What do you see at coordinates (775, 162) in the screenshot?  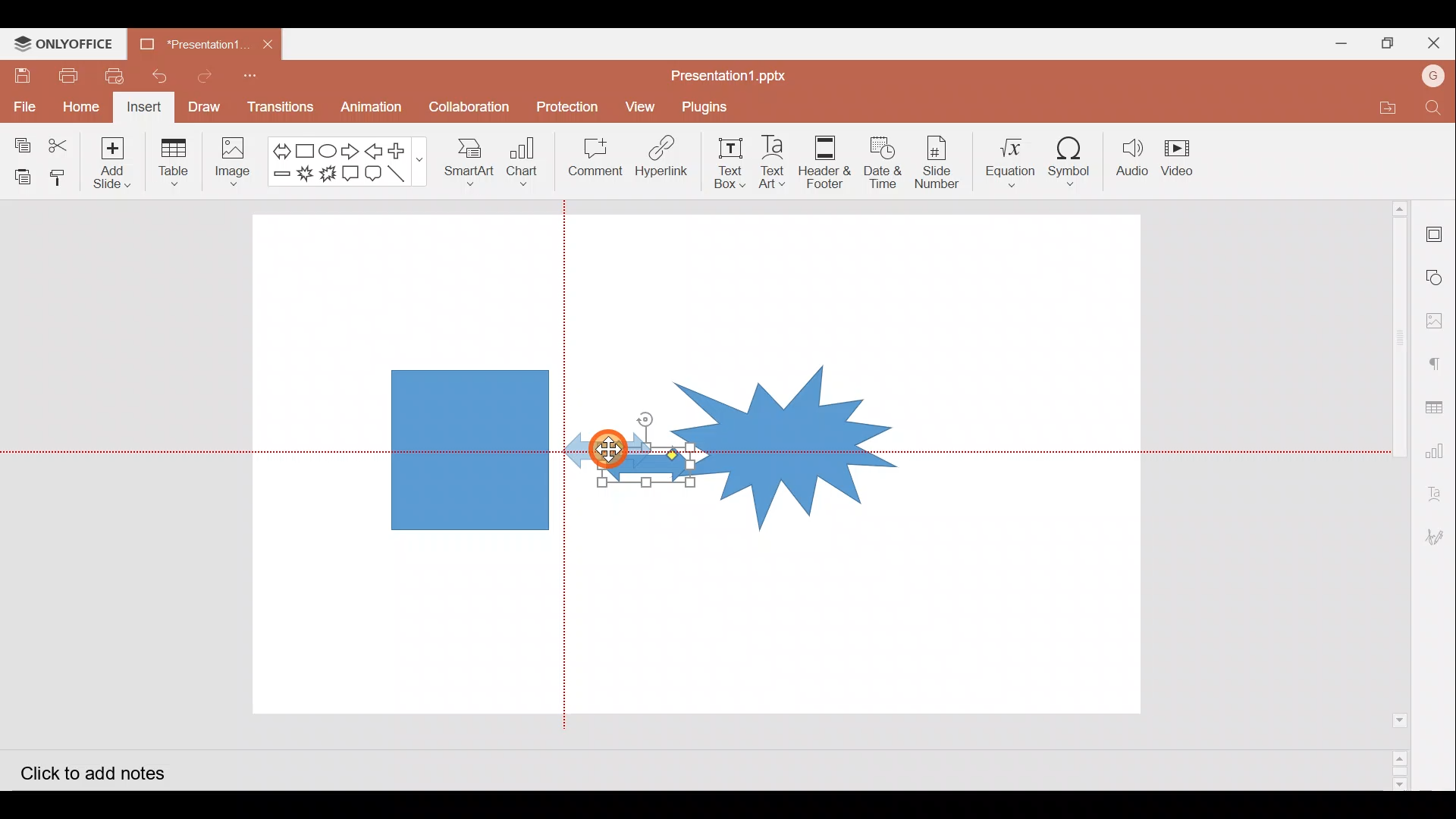 I see `Text Art` at bounding box center [775, 162].